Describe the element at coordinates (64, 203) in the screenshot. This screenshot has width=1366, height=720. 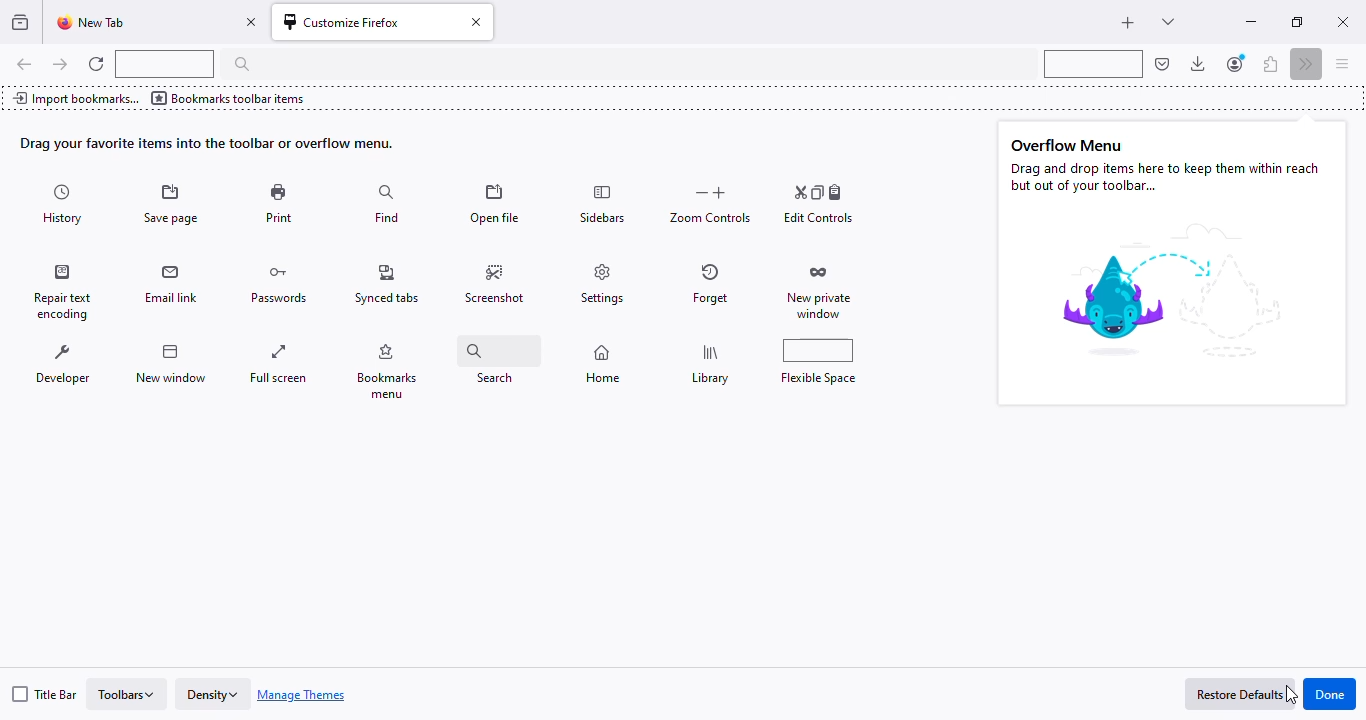
I see `history` at that location.